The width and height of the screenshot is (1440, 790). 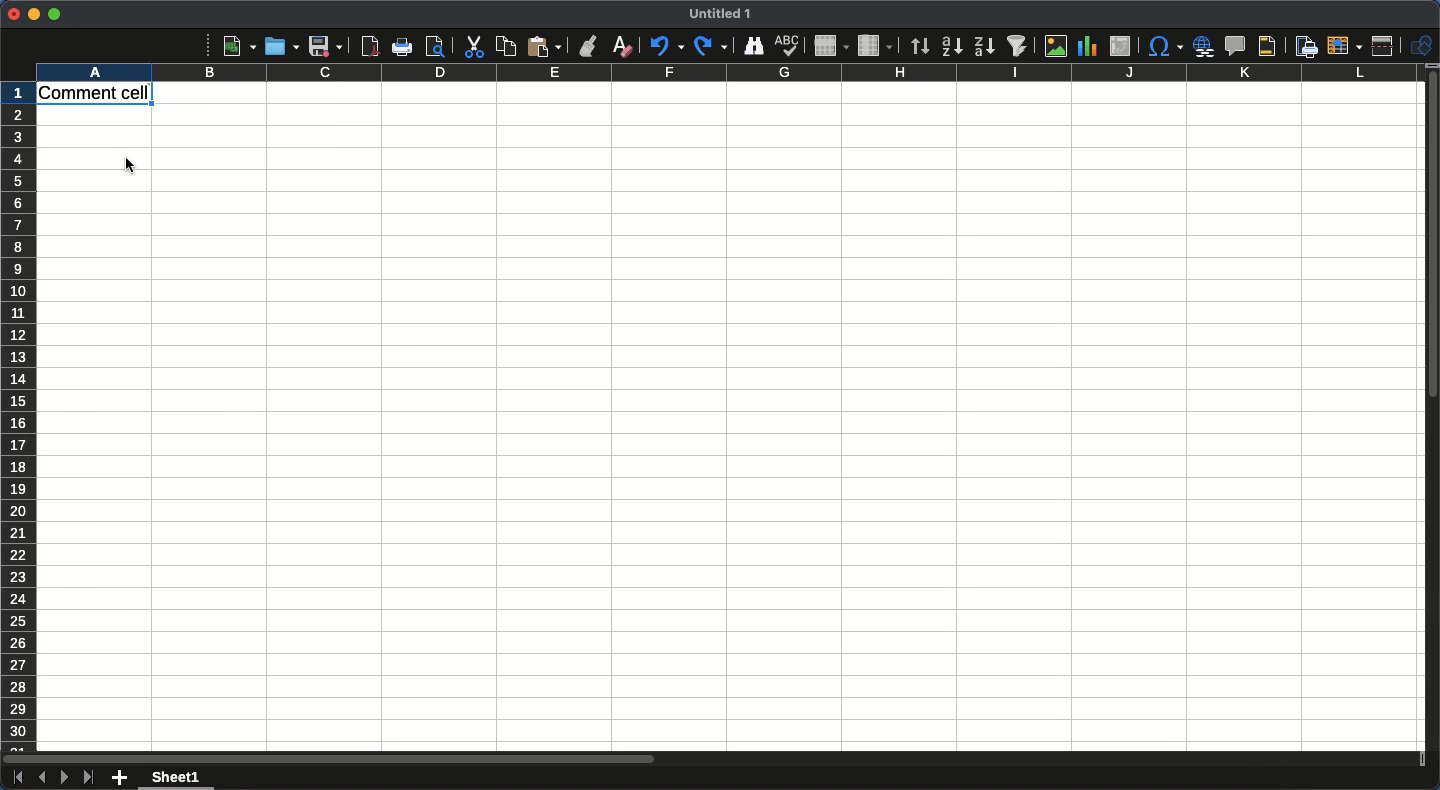 I want to click on Shapes, so click(x=1424, y=45).